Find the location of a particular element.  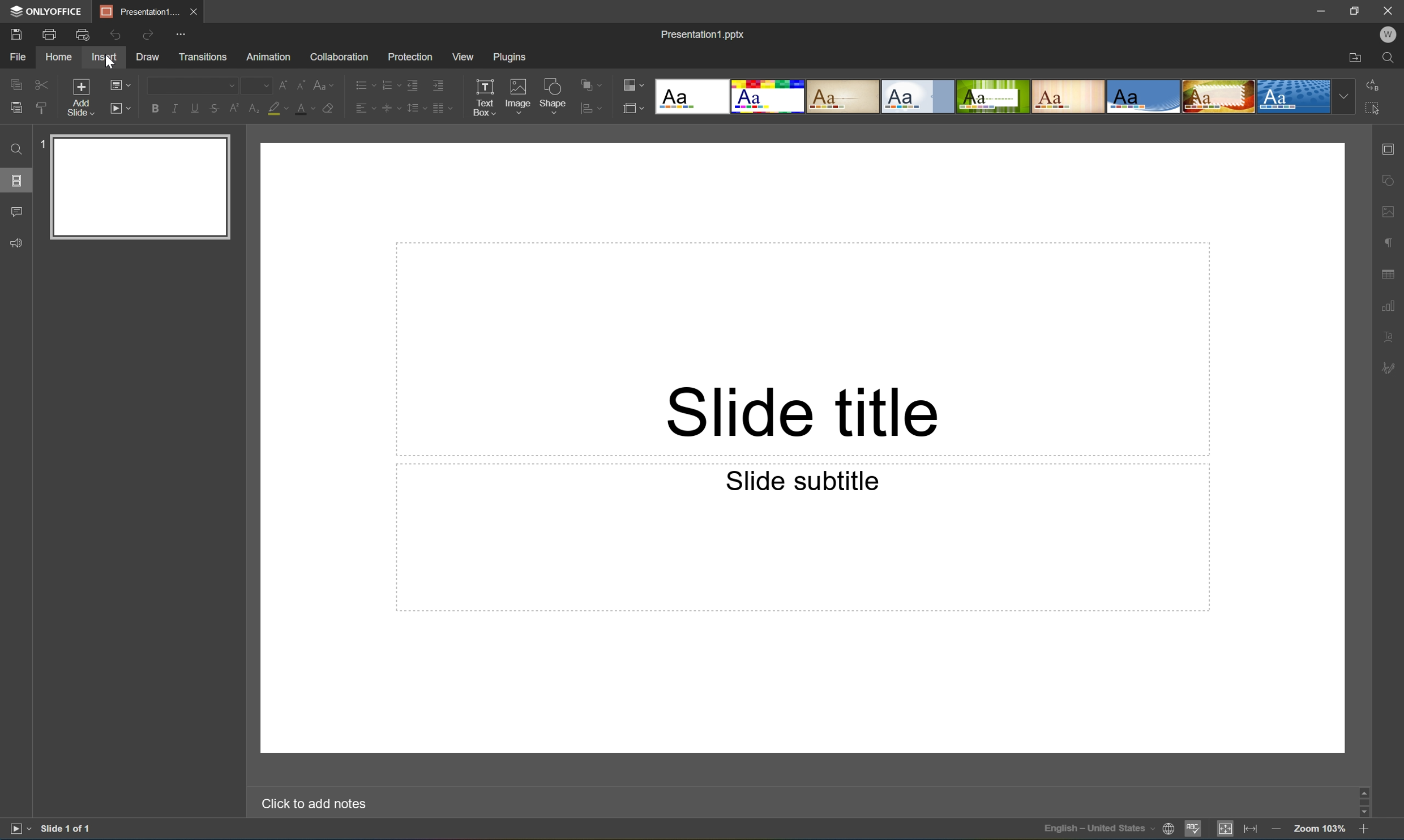

Draw is located at coordinates (149, 57).